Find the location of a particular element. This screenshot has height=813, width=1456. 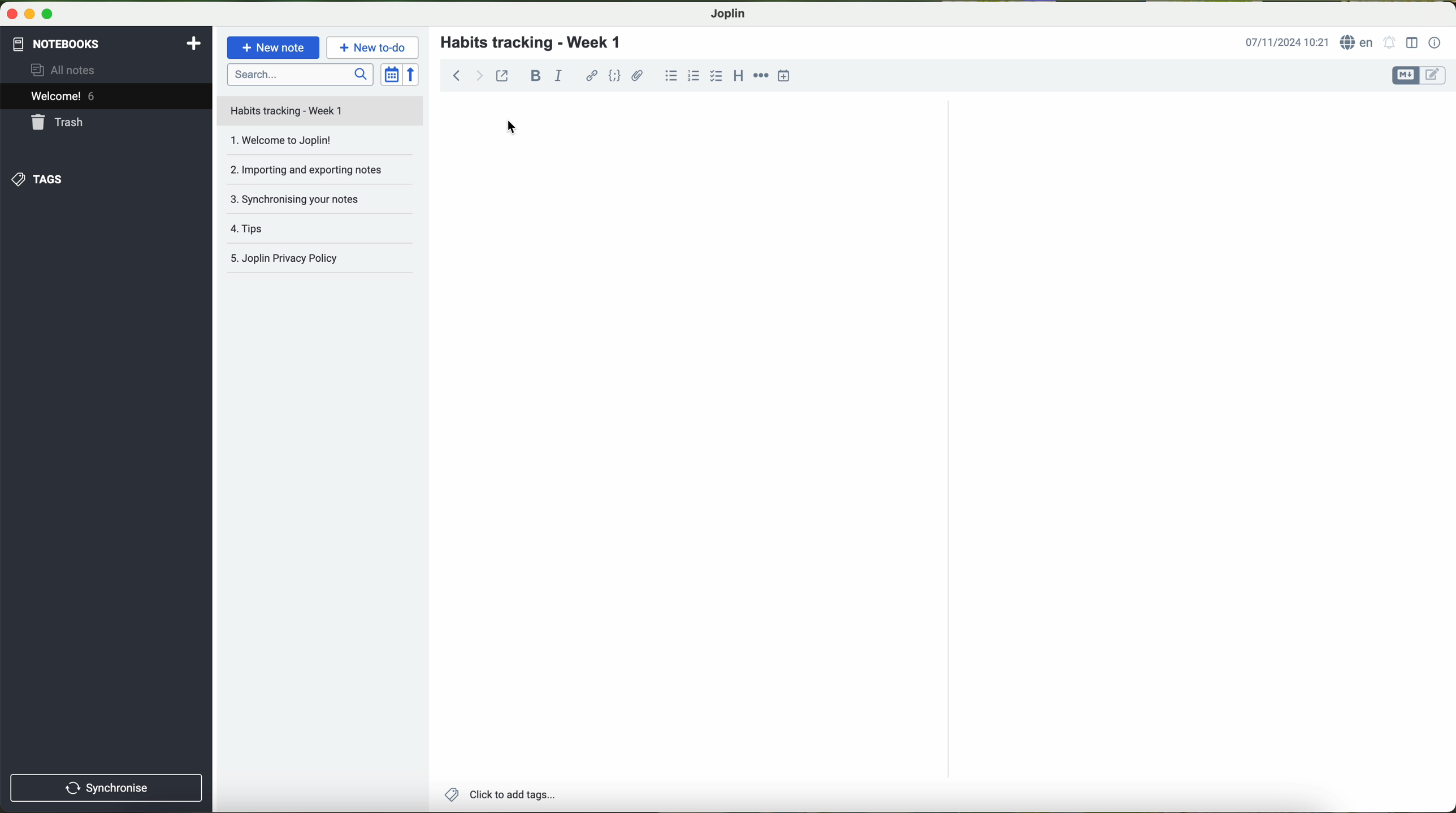

insert time is located at coordinates (784, 76).